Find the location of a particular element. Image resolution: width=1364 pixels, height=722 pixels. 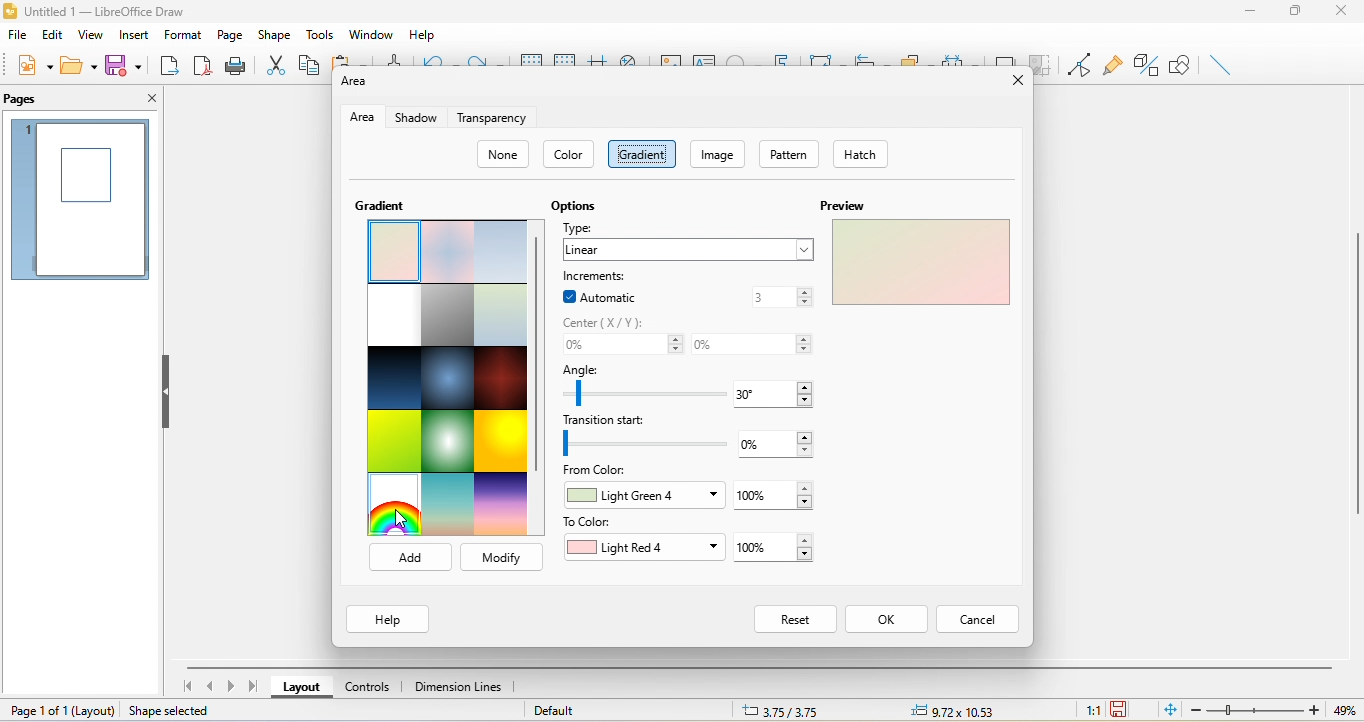

page 1 is located at coordinates (82, 199).